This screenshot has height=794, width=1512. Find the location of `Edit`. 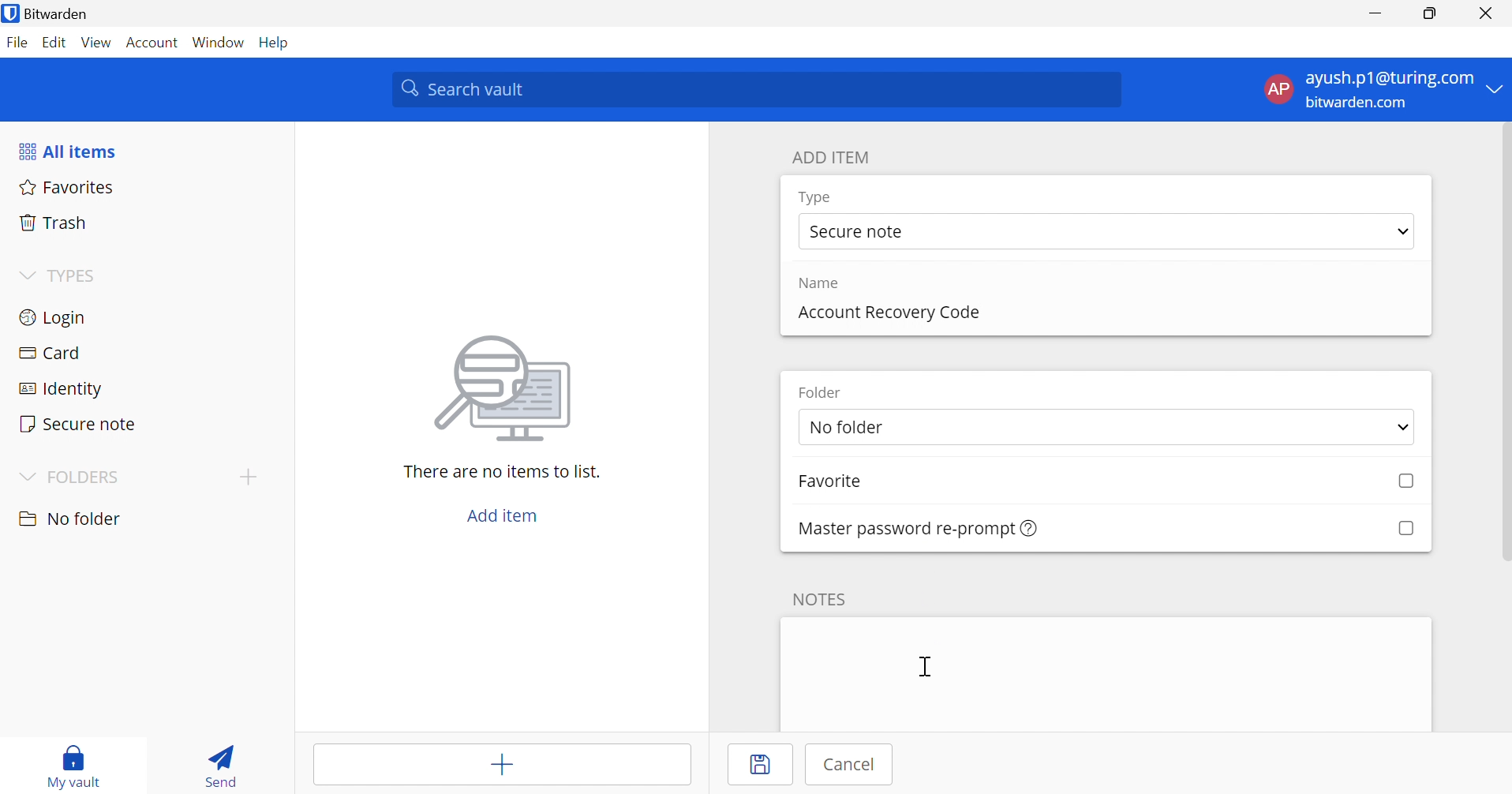

Edit is located at coordinates (54, 41).